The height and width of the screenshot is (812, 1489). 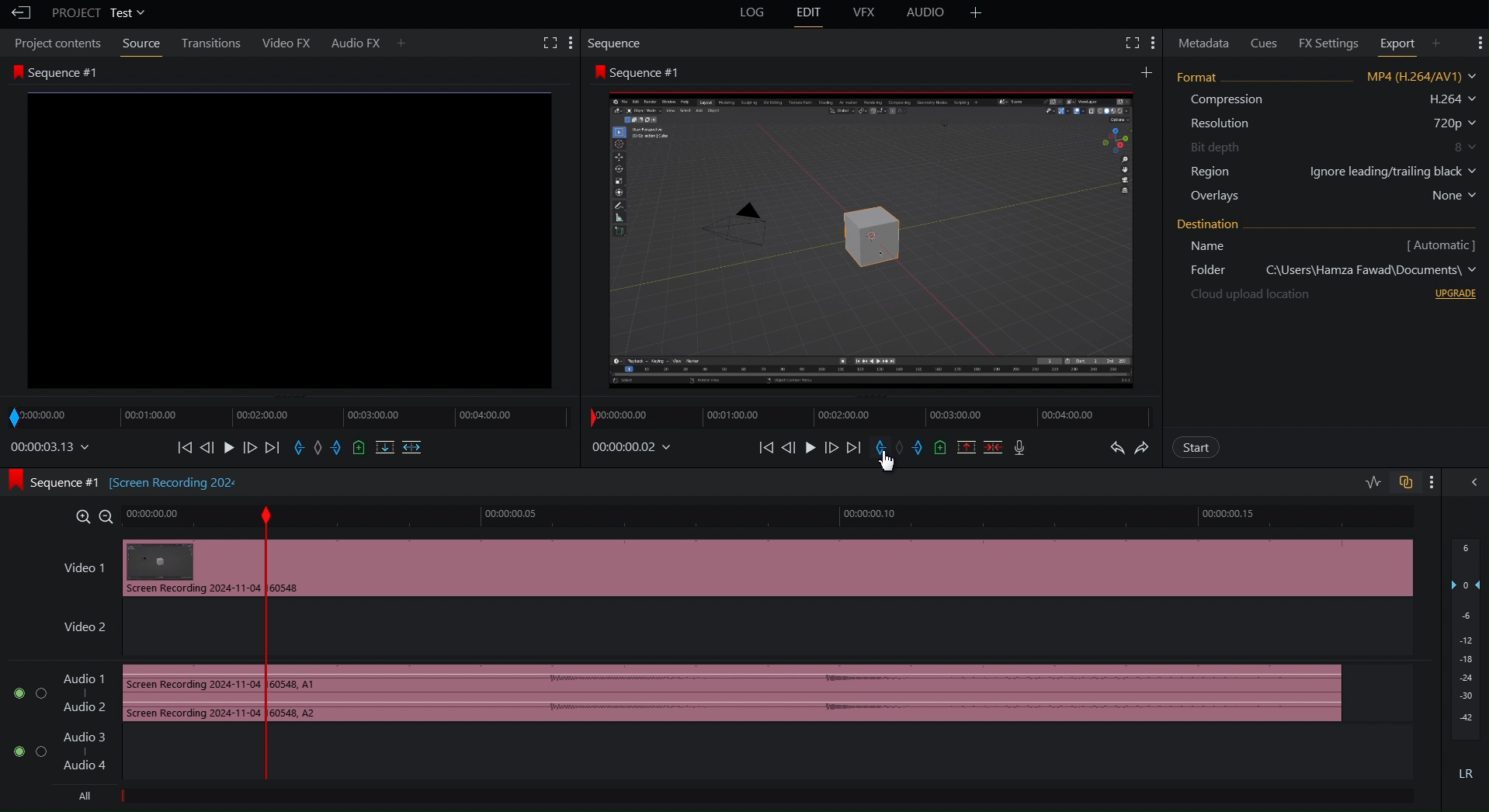 I want to click on Timestamp, so click(x=50, y=449).